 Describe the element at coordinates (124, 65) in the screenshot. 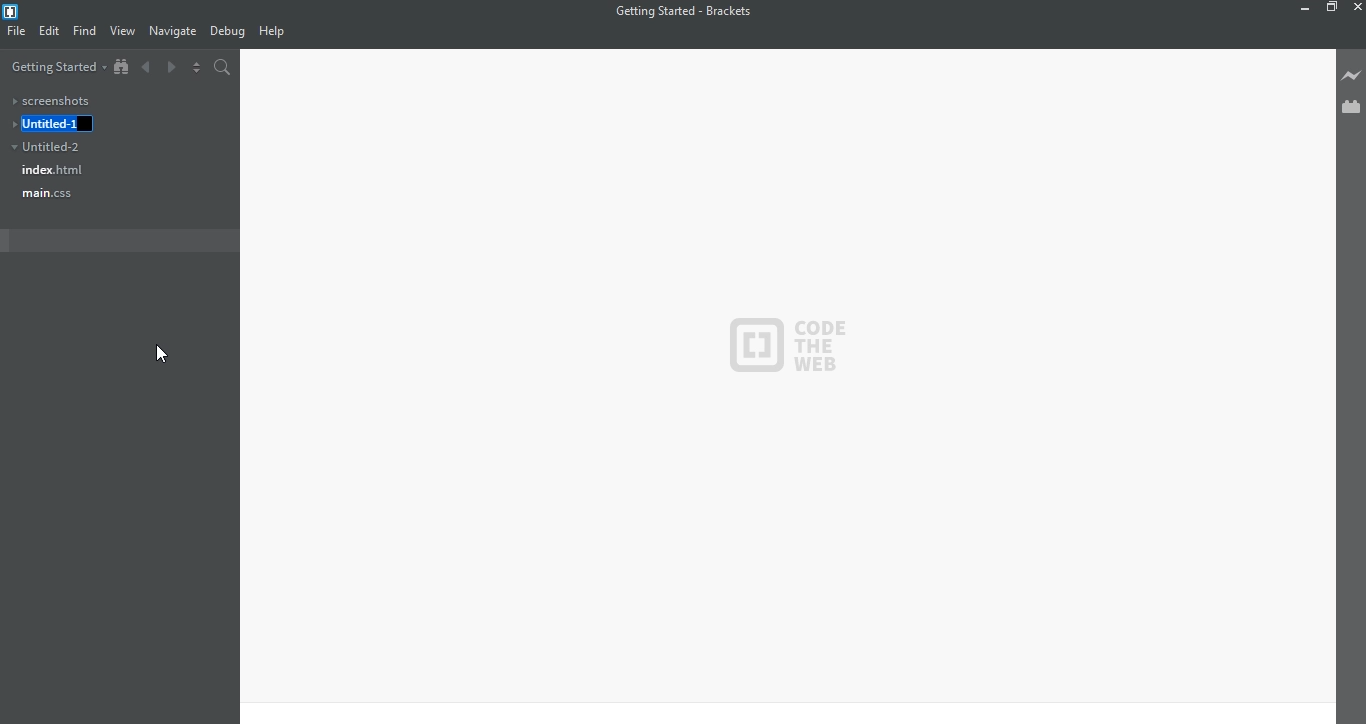

I see `show in file tree` at that location.